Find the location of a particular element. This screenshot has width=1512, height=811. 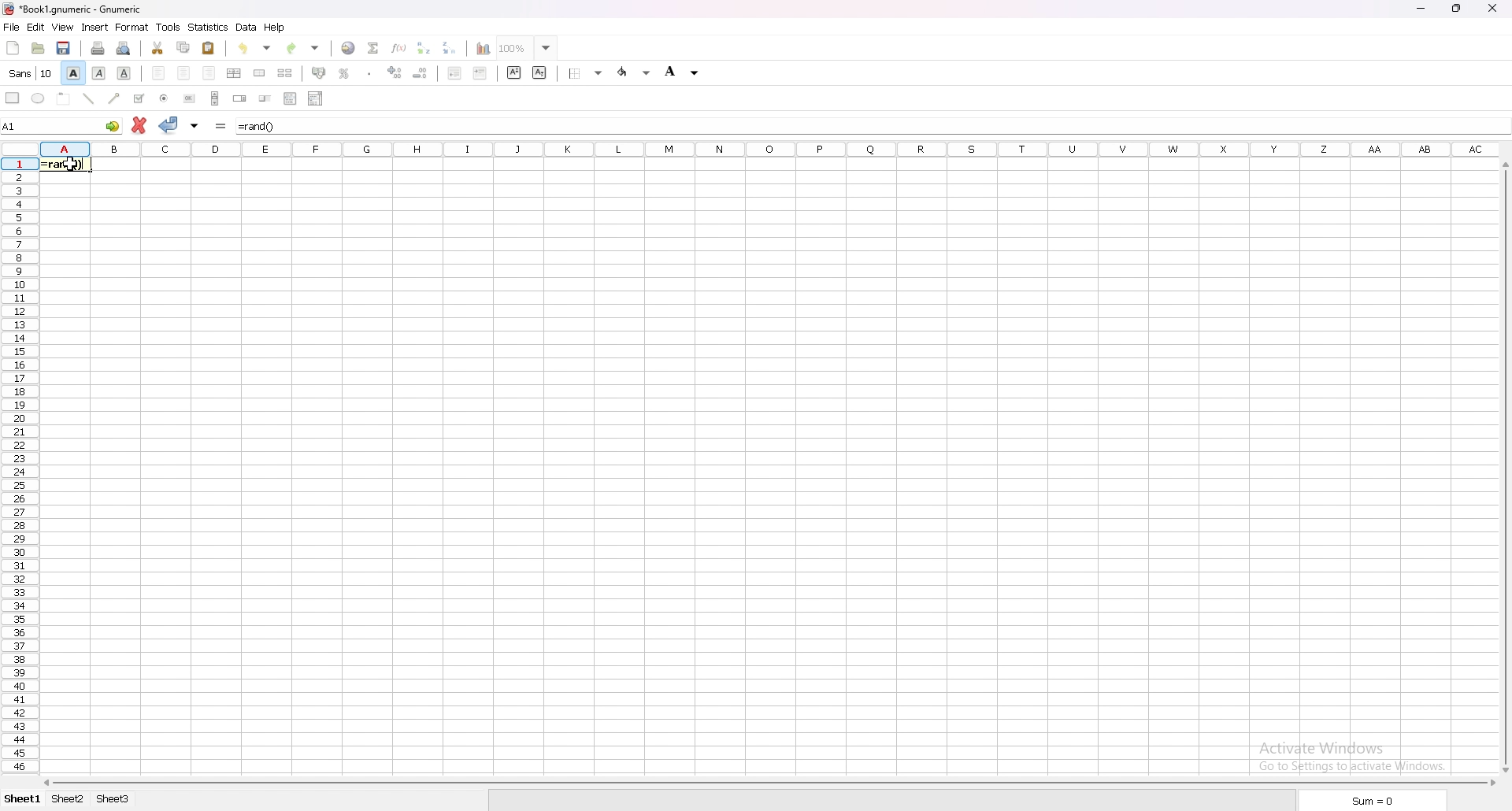

accounting is located at coordinates (320, 73).